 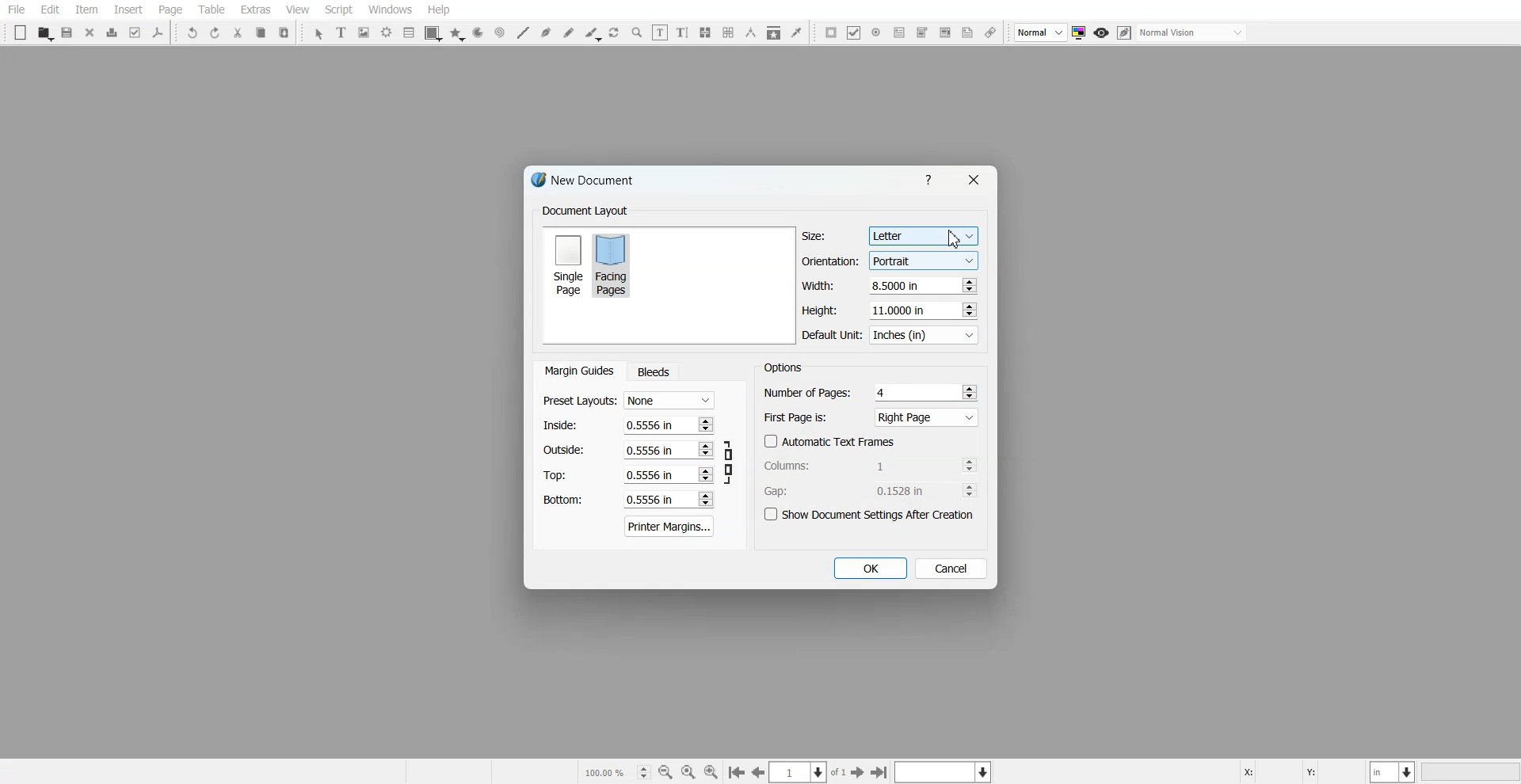 I want to click on Close, so click(x=972, y=180).